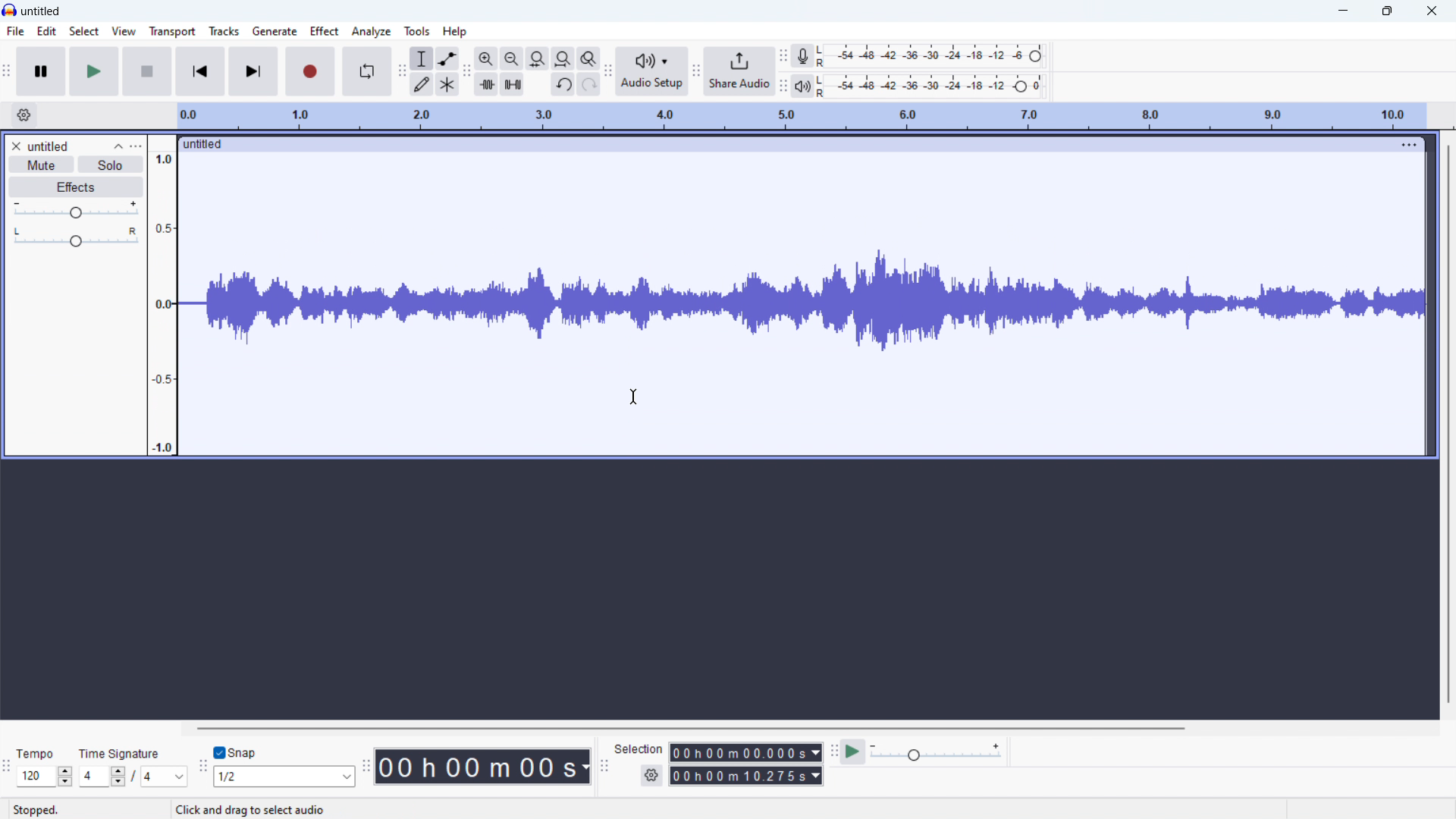 Image resolution: width=1456 pixels, height=819 pixels. What do you see at coordinates (512, 58) in the screenshot?
I see `zoom out` at bounding box center [512, 58].